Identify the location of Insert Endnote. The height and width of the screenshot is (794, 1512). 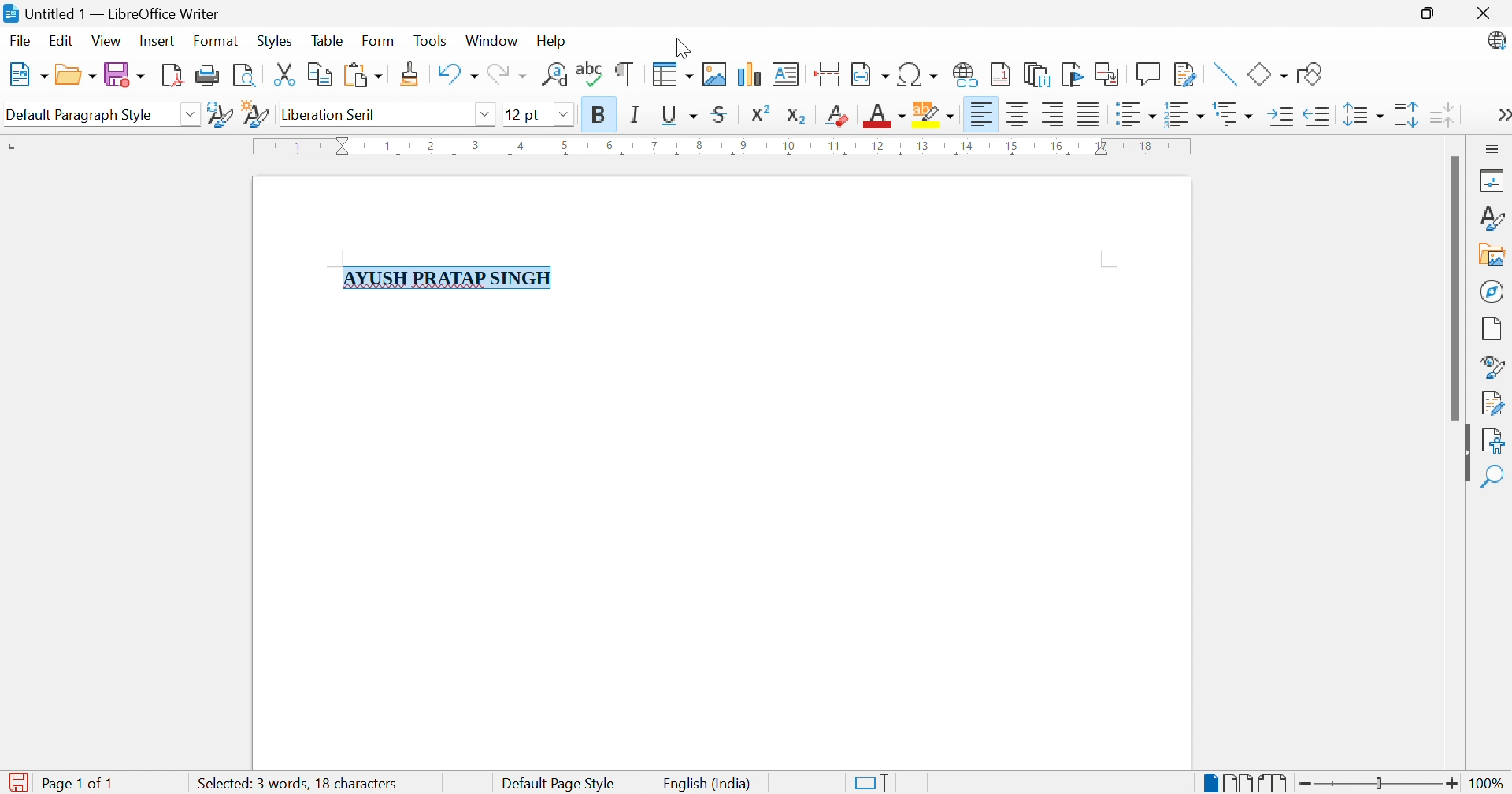
(1034, 76).